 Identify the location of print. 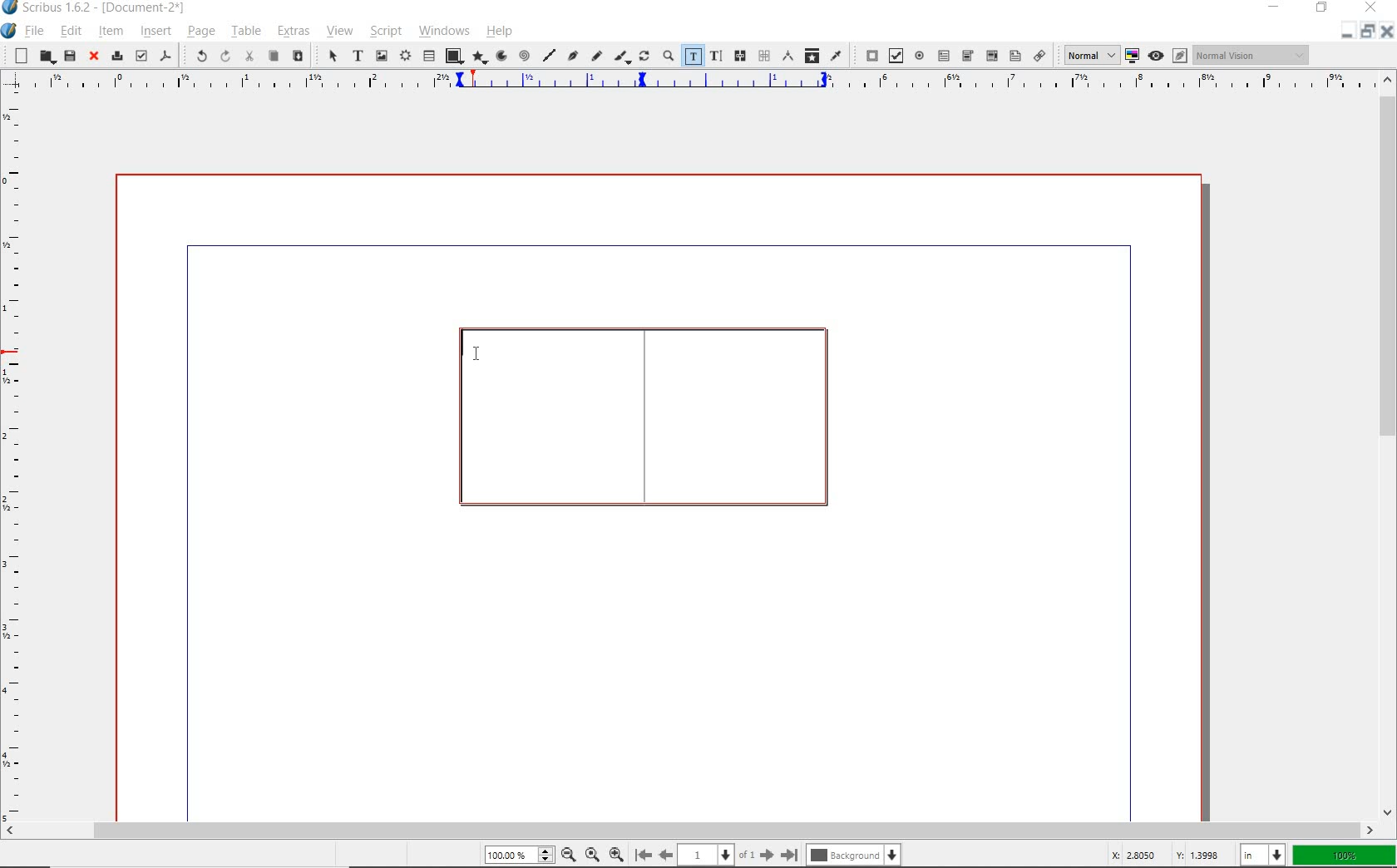
(116, 57).